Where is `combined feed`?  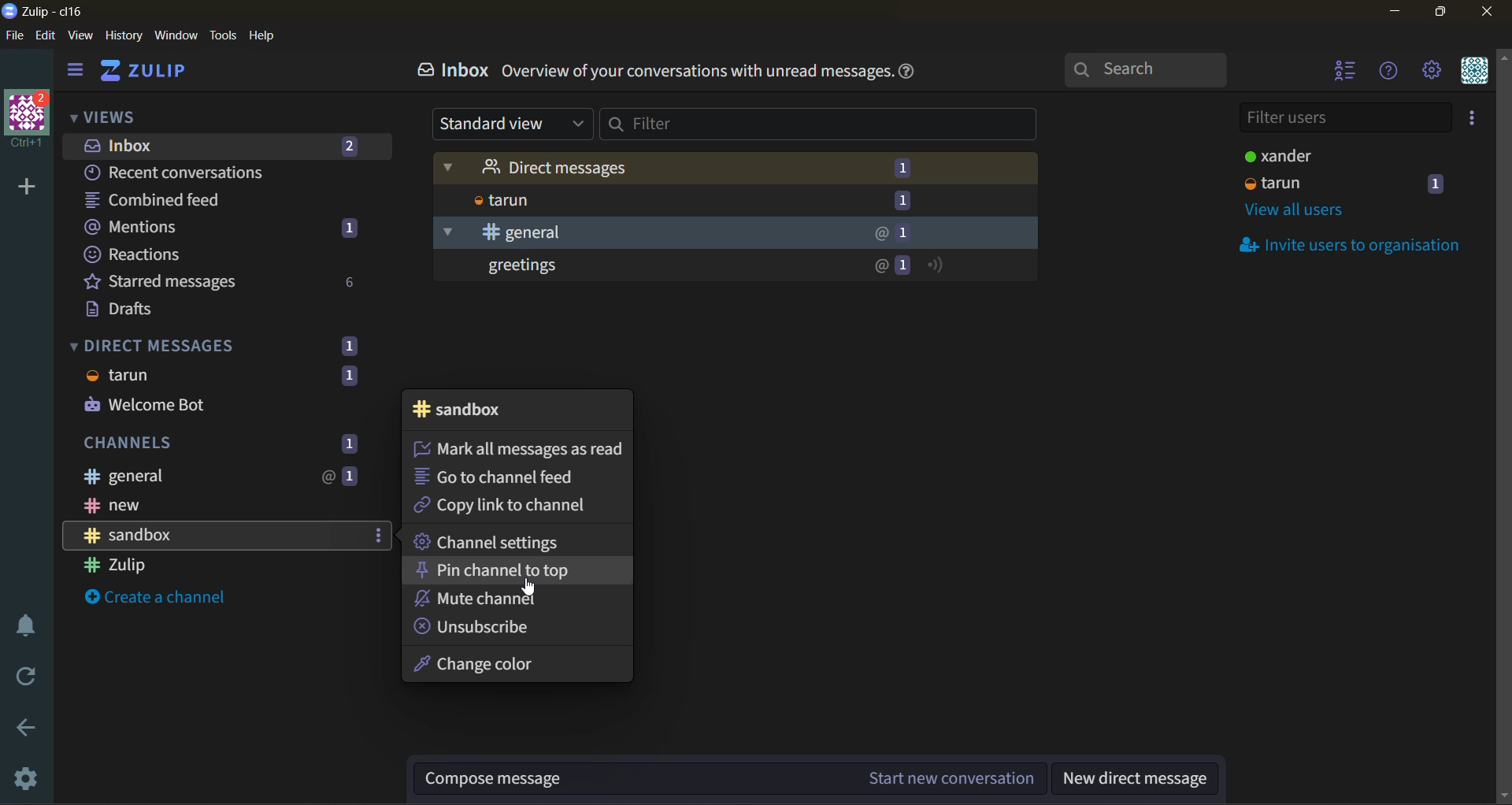 combined feed is located at coordinates (183, 199).